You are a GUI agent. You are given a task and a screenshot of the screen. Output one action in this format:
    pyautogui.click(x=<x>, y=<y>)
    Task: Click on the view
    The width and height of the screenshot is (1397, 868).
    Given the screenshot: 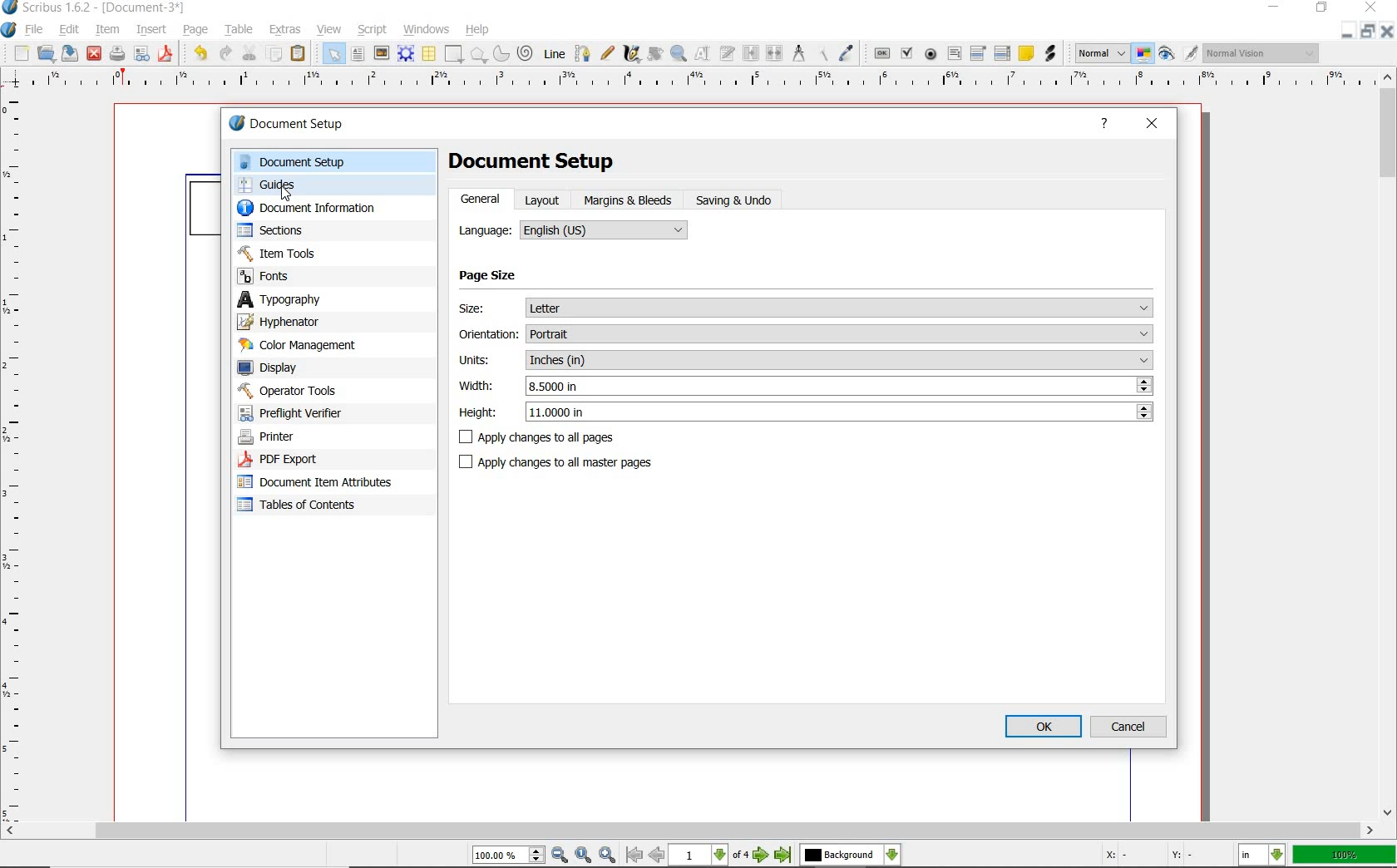 What is the action you would take?
    pyautogui.click(x=329, y=31)
    